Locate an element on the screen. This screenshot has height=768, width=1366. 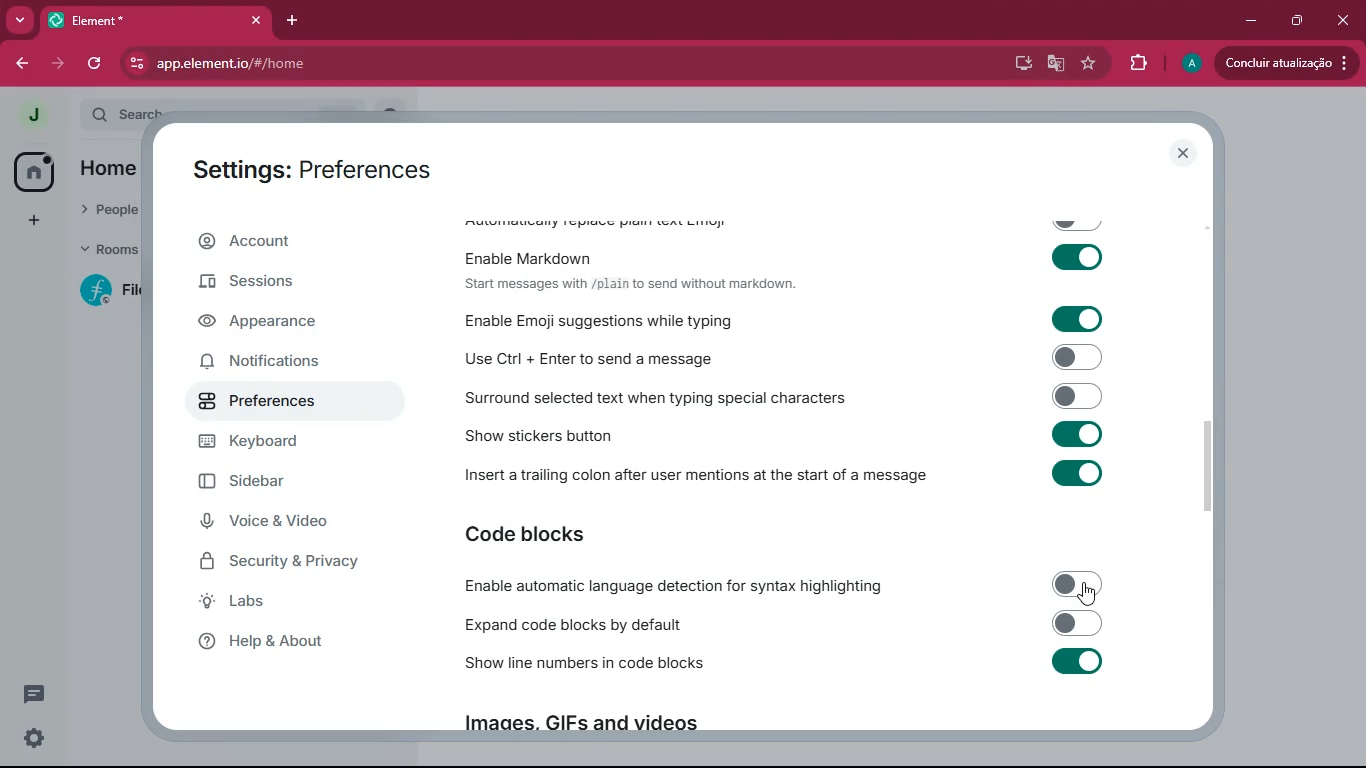
back is located at coordinates (22, 65).